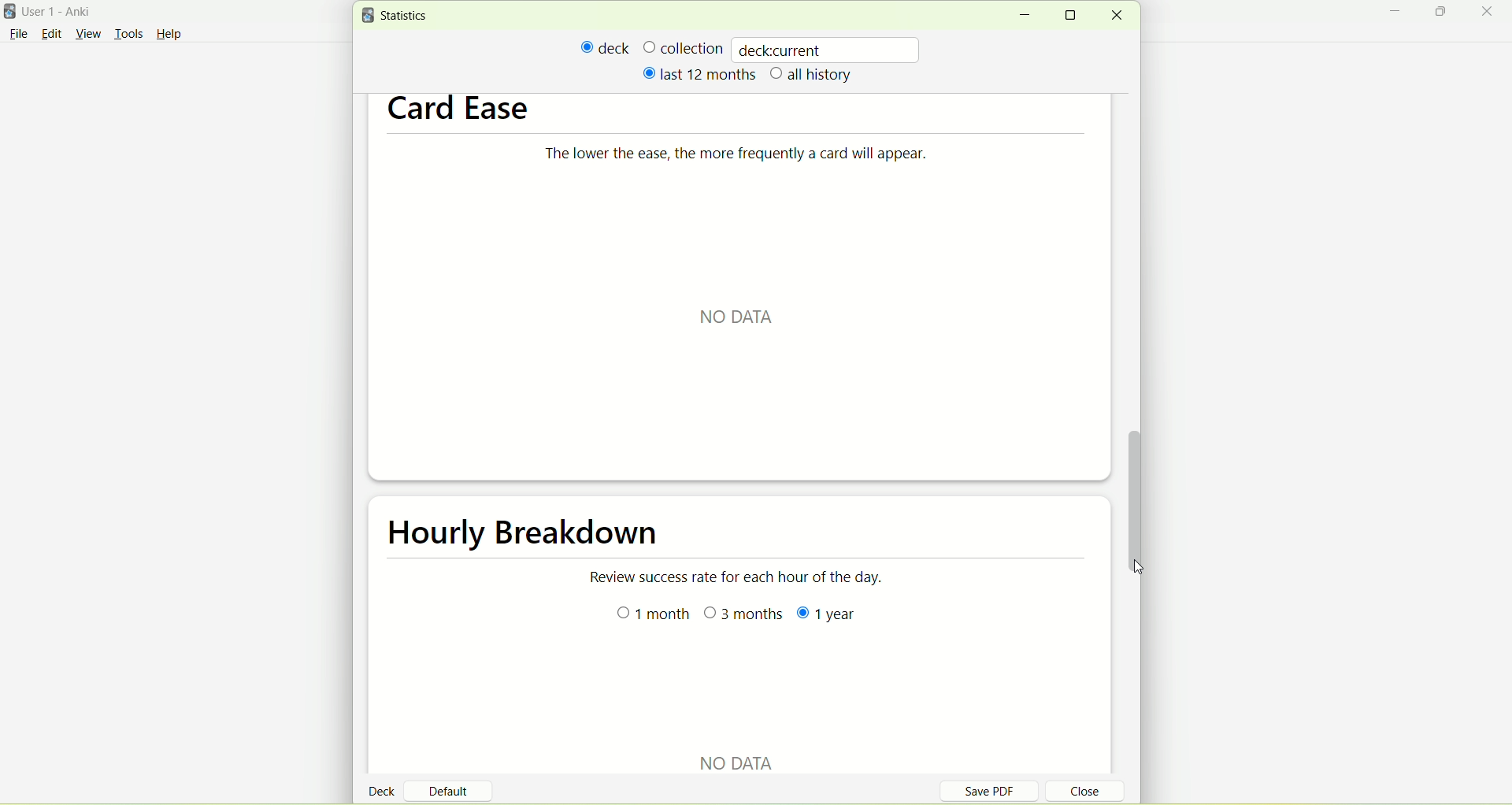 The height and width of the screenshot is (805, 1512). Describe the element at coordinates (812, 76) in the screenshot. I see `all history` at that location.